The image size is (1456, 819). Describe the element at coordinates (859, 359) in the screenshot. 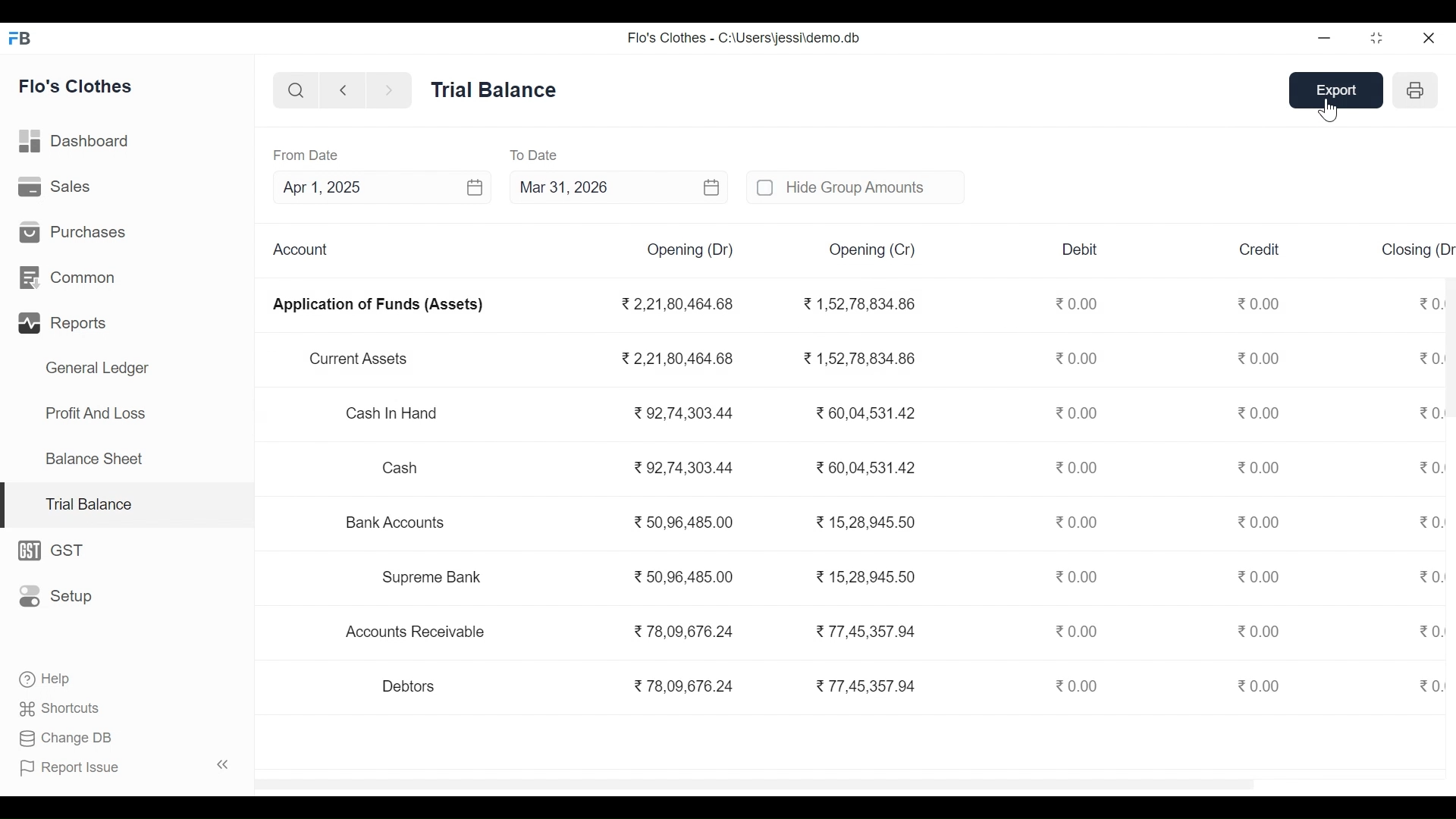

I see `1,52,78,834.86` at that location.